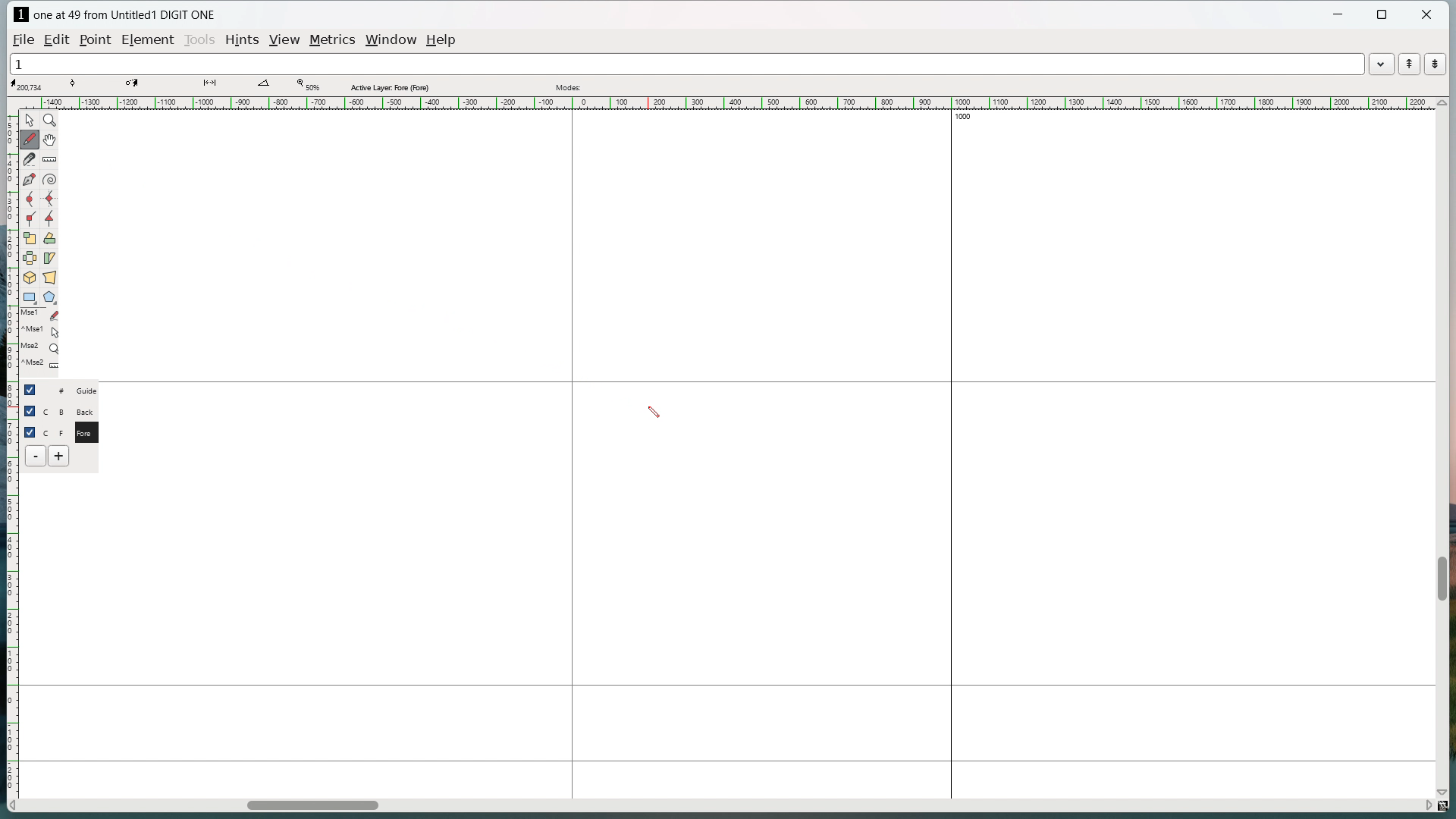 This screenshot has height=819, width=1456. I want to click on 1000, so click(970, 118).